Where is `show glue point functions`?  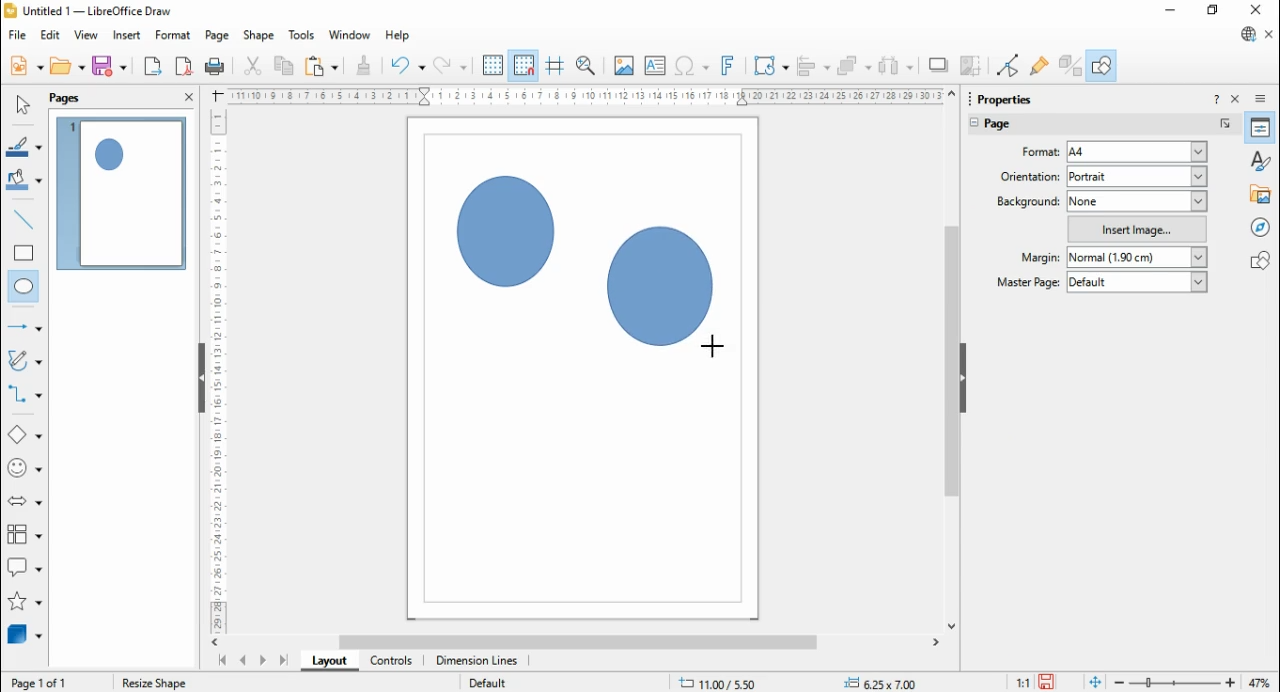
show glue point functions is located at coordinates (1041, 65).